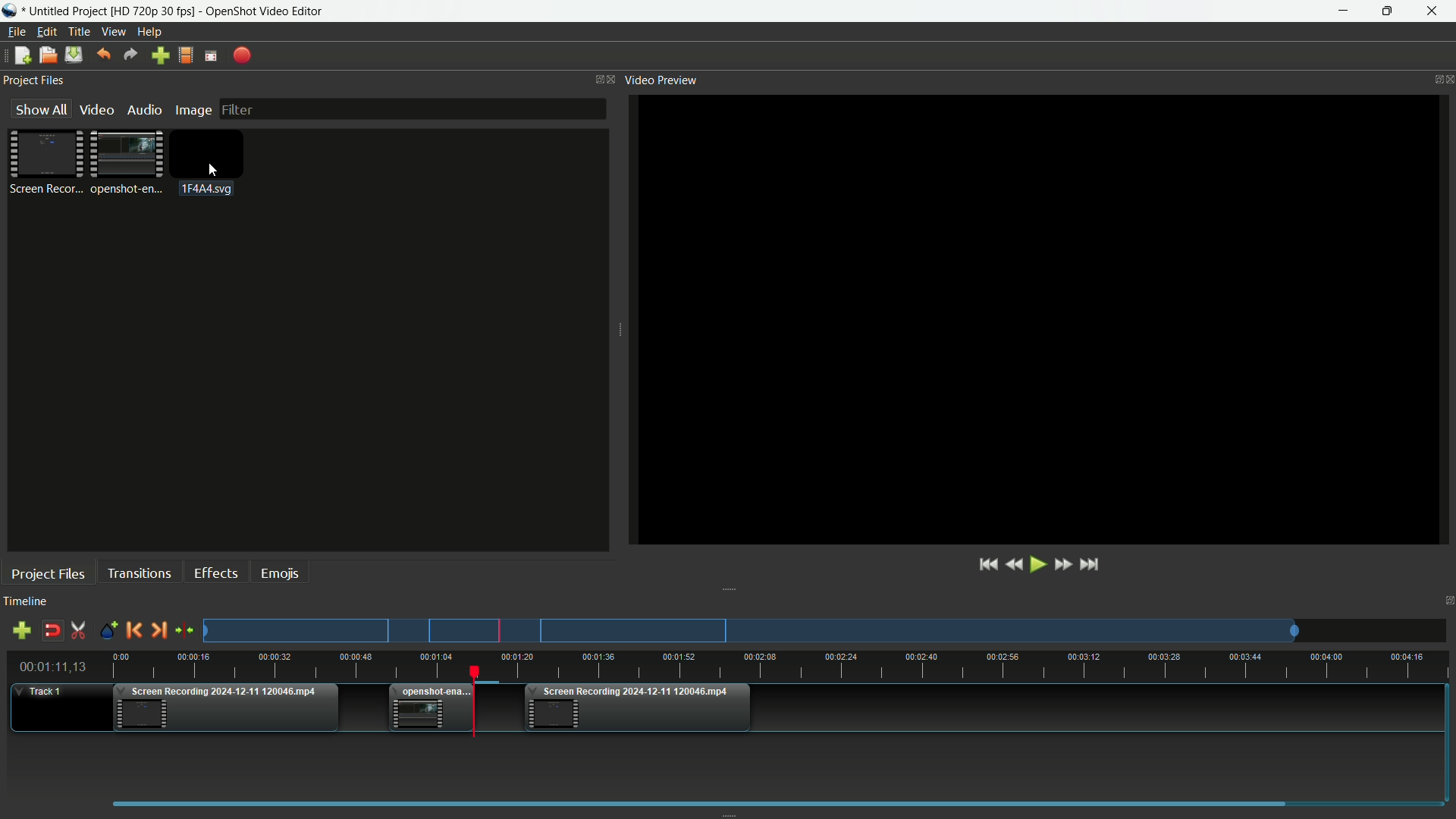 The image size is (1456, 819). What do you see at coordinates (226, 711) in the screenshot?
I see `Video one in timeline` at bounding box center [226, 711].